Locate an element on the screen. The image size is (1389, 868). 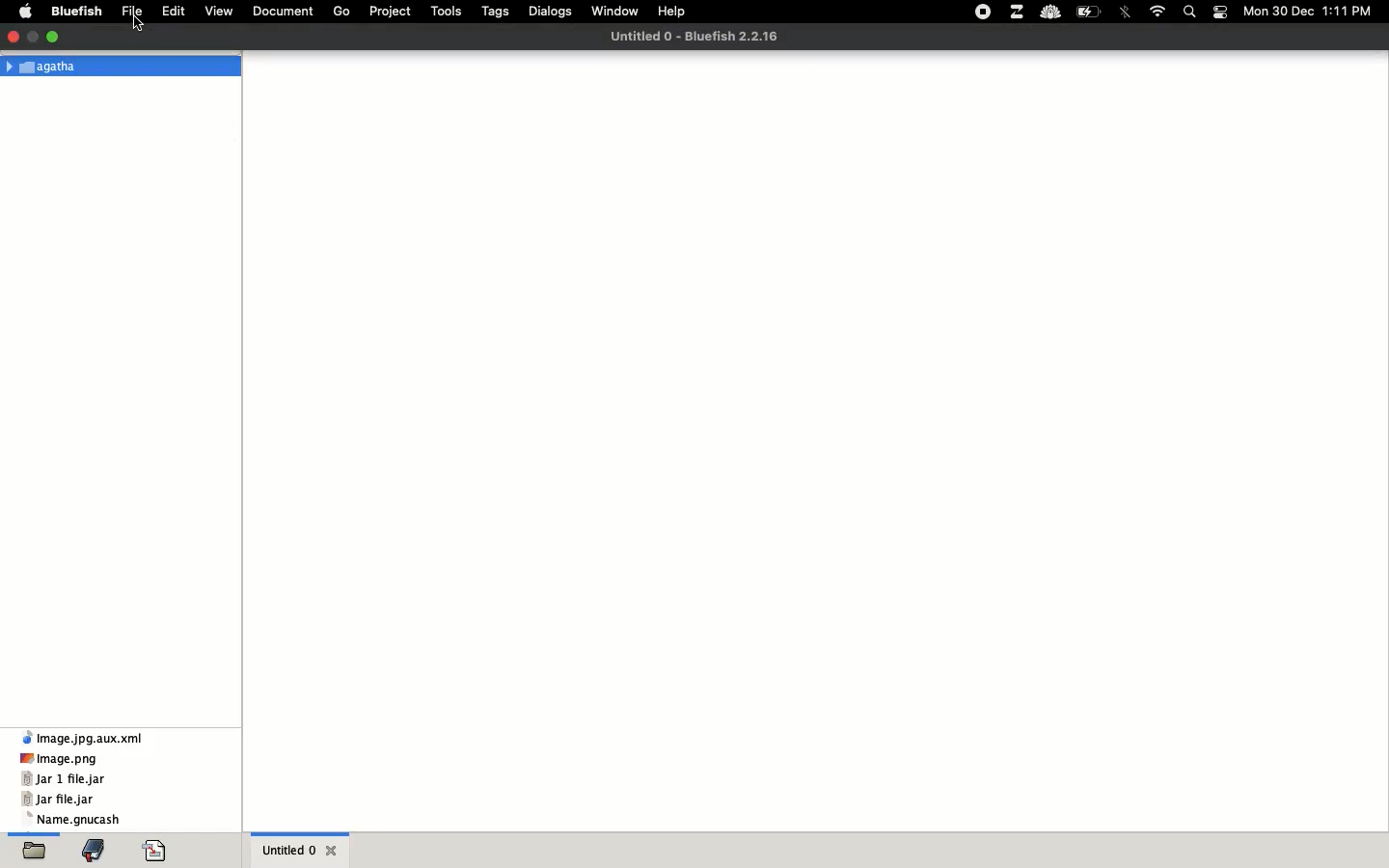
file is located at coordinates (134, 10).